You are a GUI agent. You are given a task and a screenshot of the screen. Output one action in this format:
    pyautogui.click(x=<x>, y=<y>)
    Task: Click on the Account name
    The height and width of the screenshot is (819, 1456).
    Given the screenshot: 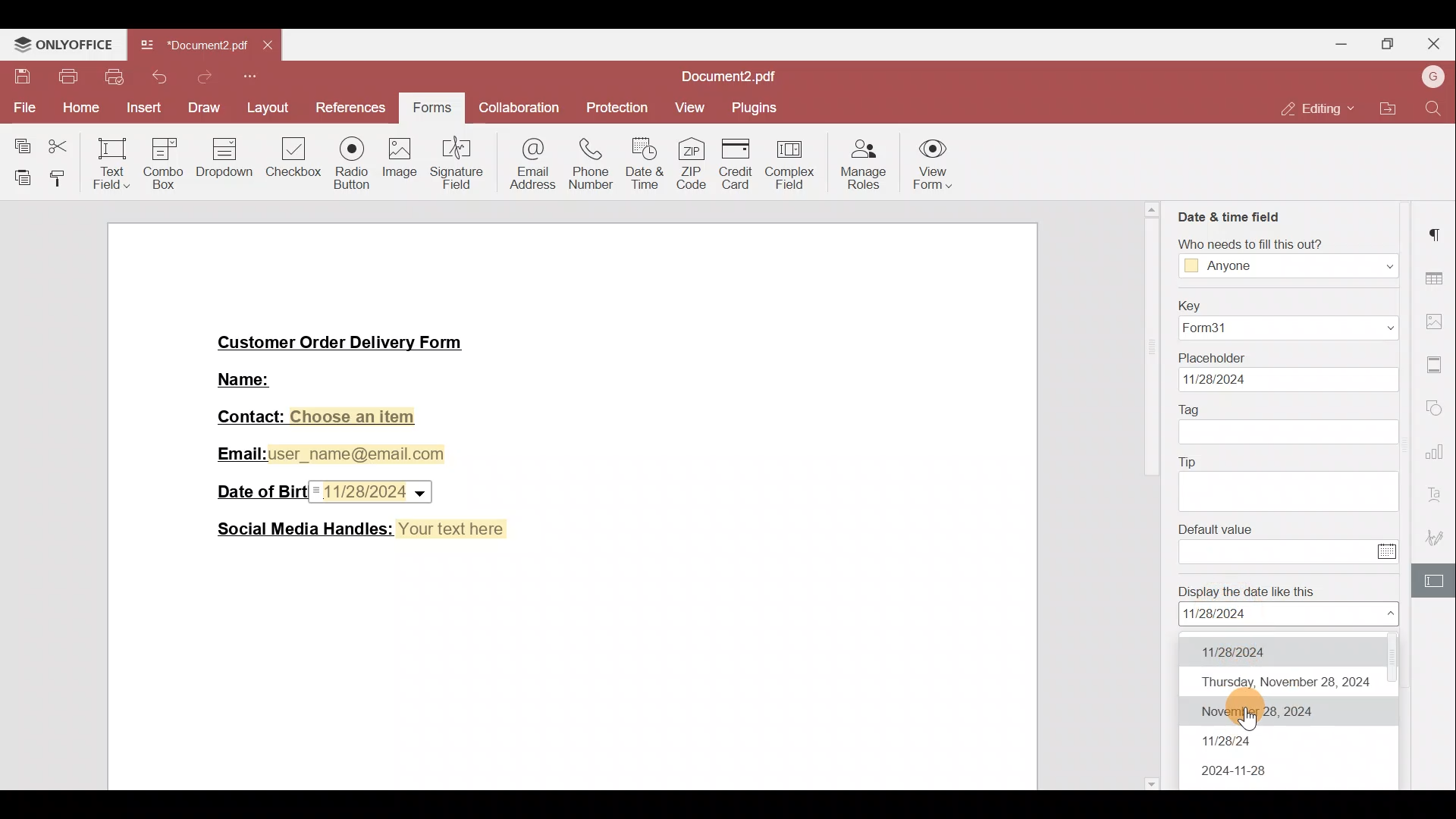 What is the action you would take?
    pyautogui.click(x=1432, y=76)
    